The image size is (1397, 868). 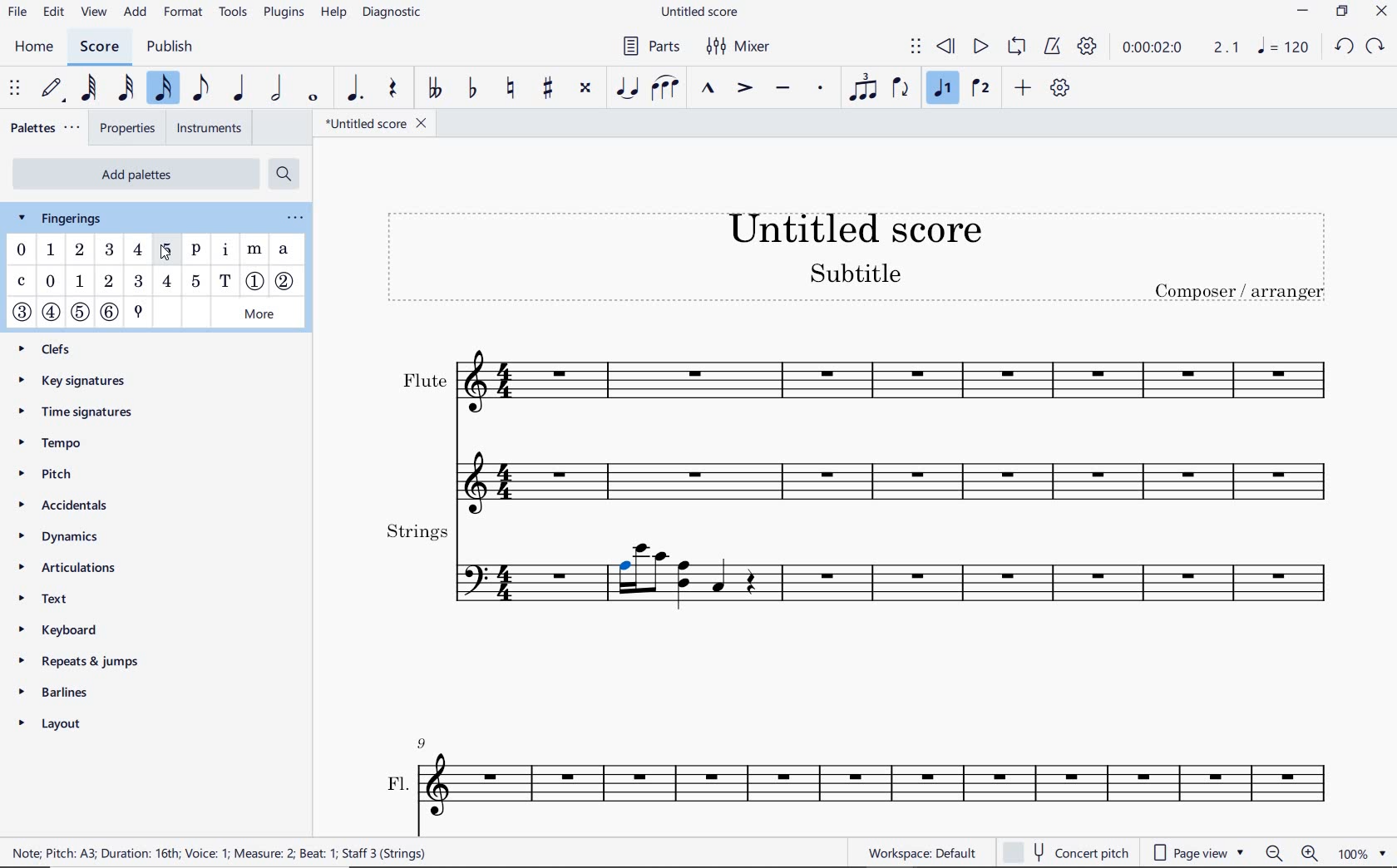 What do you see at coordinates (699, 13) in the screenshot?
I see `file name` at bounding box center [699, 13].